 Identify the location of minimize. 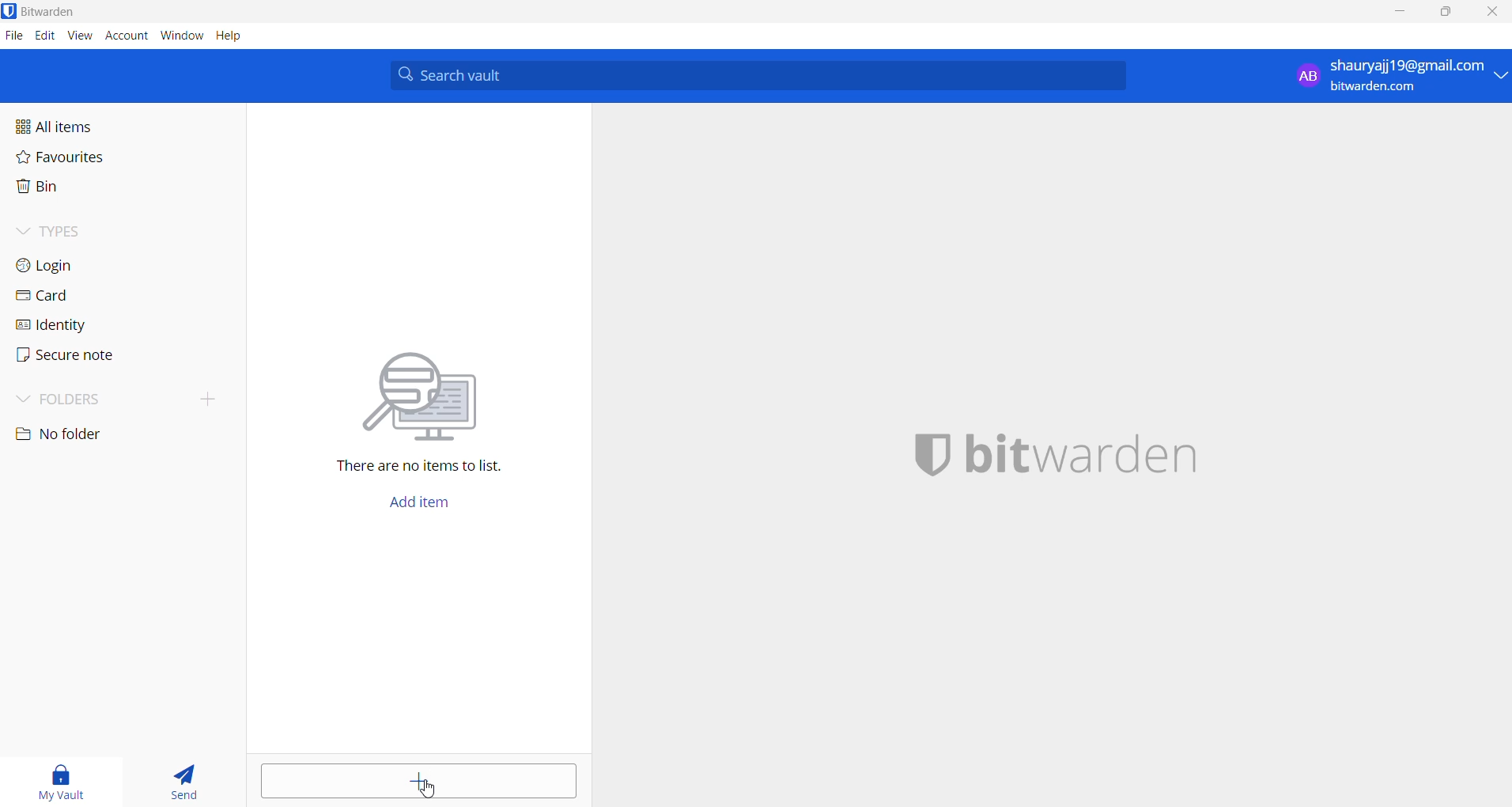
(1402, 13).